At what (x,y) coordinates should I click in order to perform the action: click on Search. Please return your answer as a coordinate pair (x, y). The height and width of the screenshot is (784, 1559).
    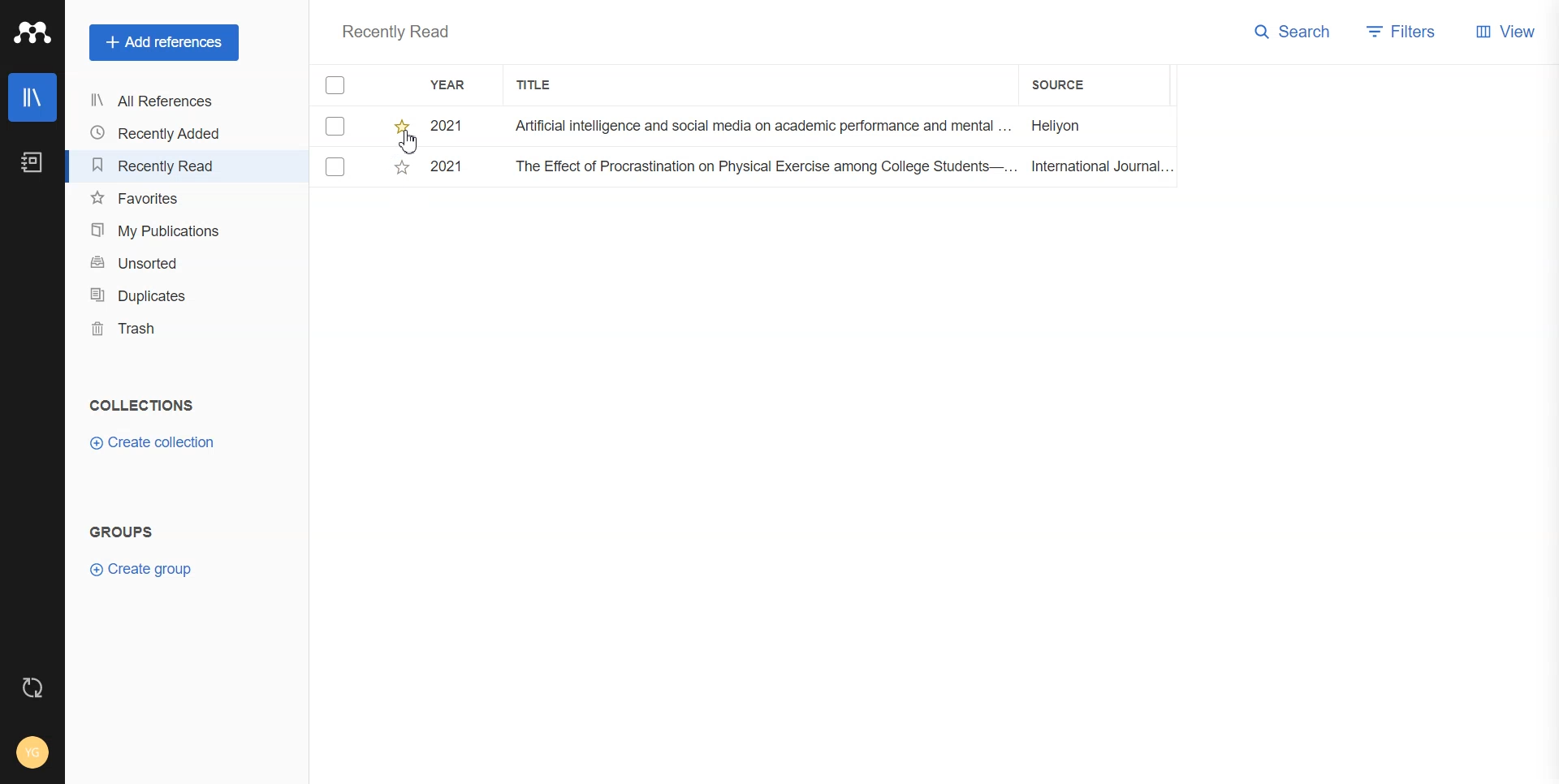
    Looking at the image, I should click on (1294, 32).